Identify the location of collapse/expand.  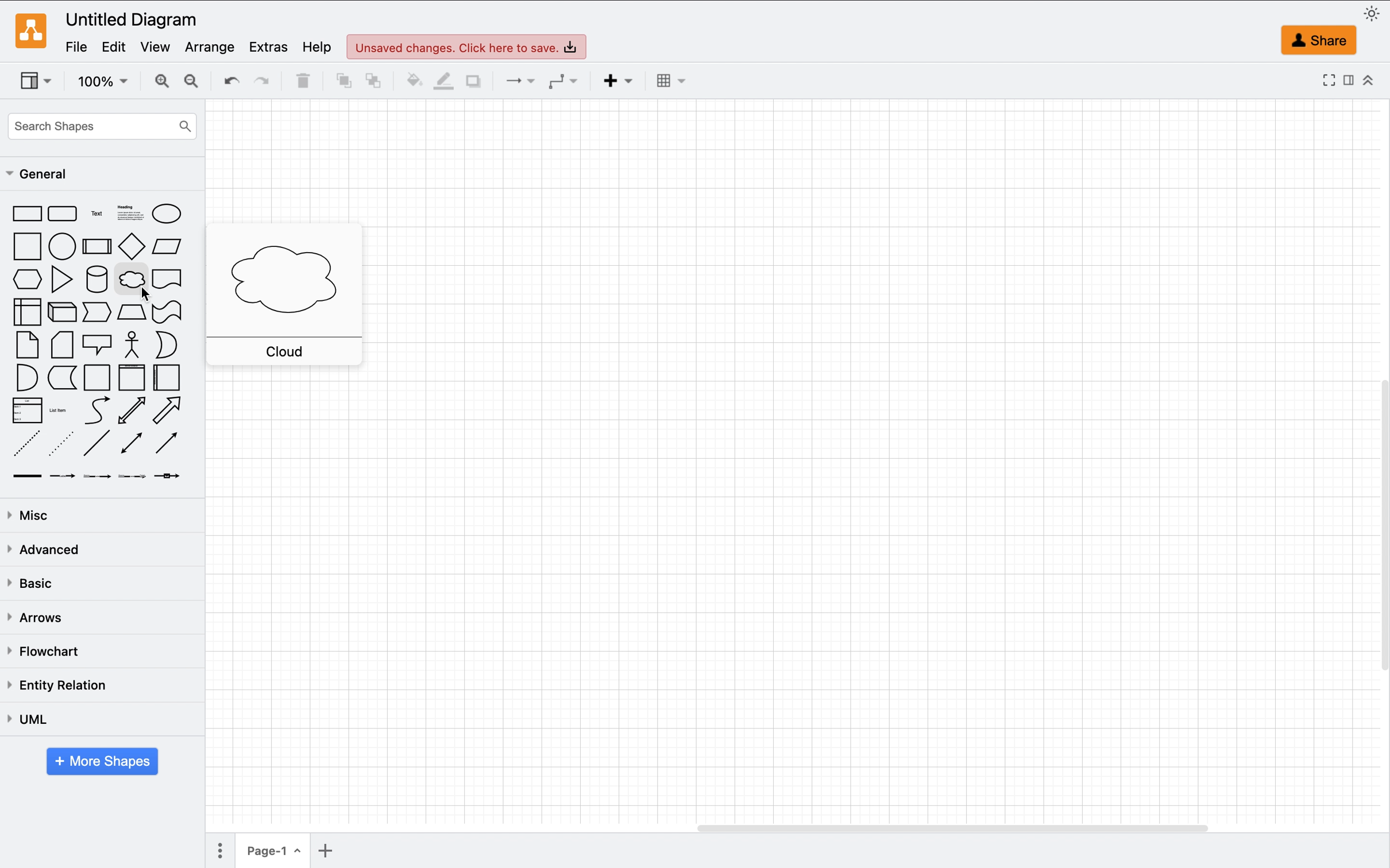
(1368, 82).